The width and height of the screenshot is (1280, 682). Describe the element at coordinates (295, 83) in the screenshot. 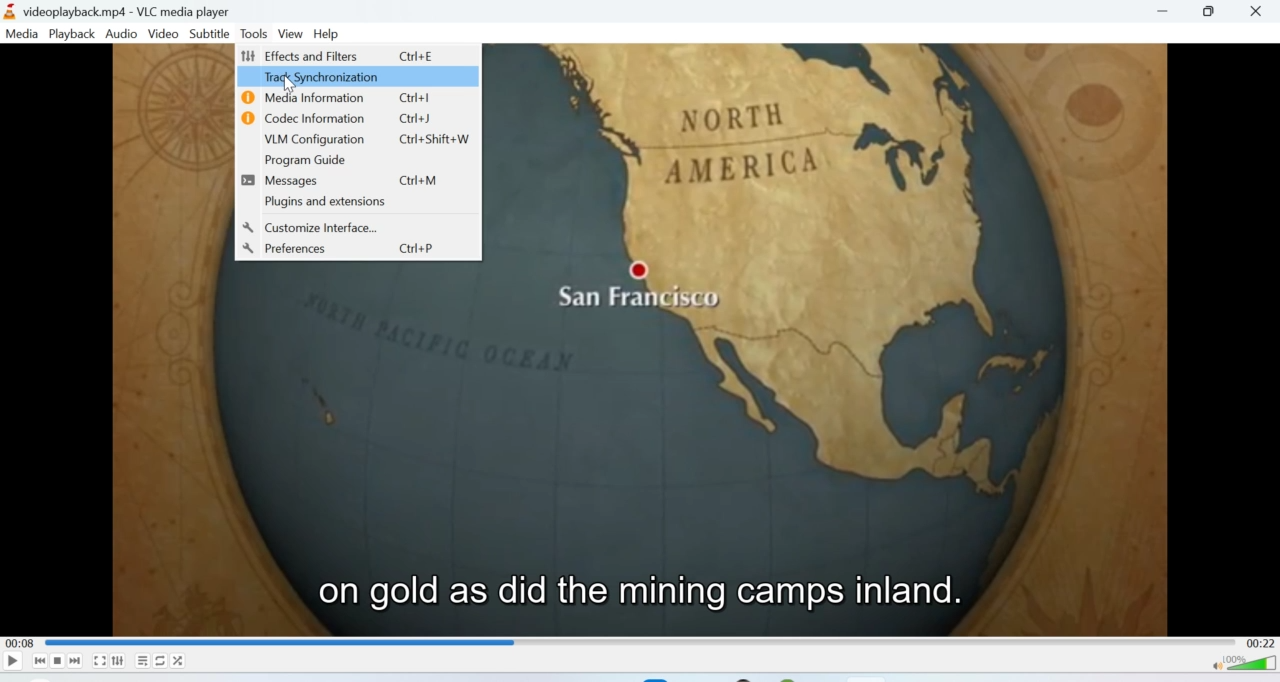

I see `Cursor on Track synchronization` at that location.